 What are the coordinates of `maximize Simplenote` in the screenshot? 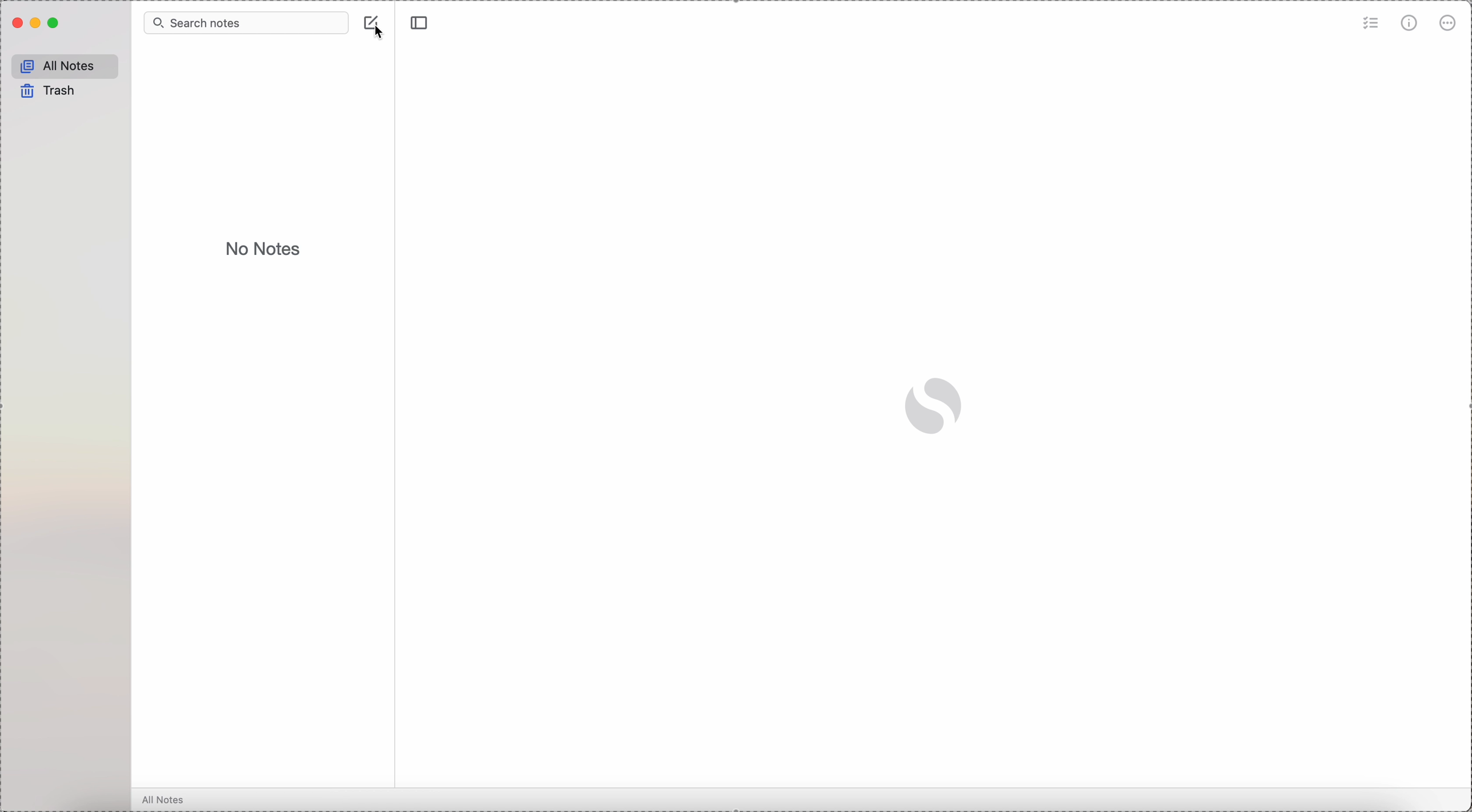 It's located at (55, 23).